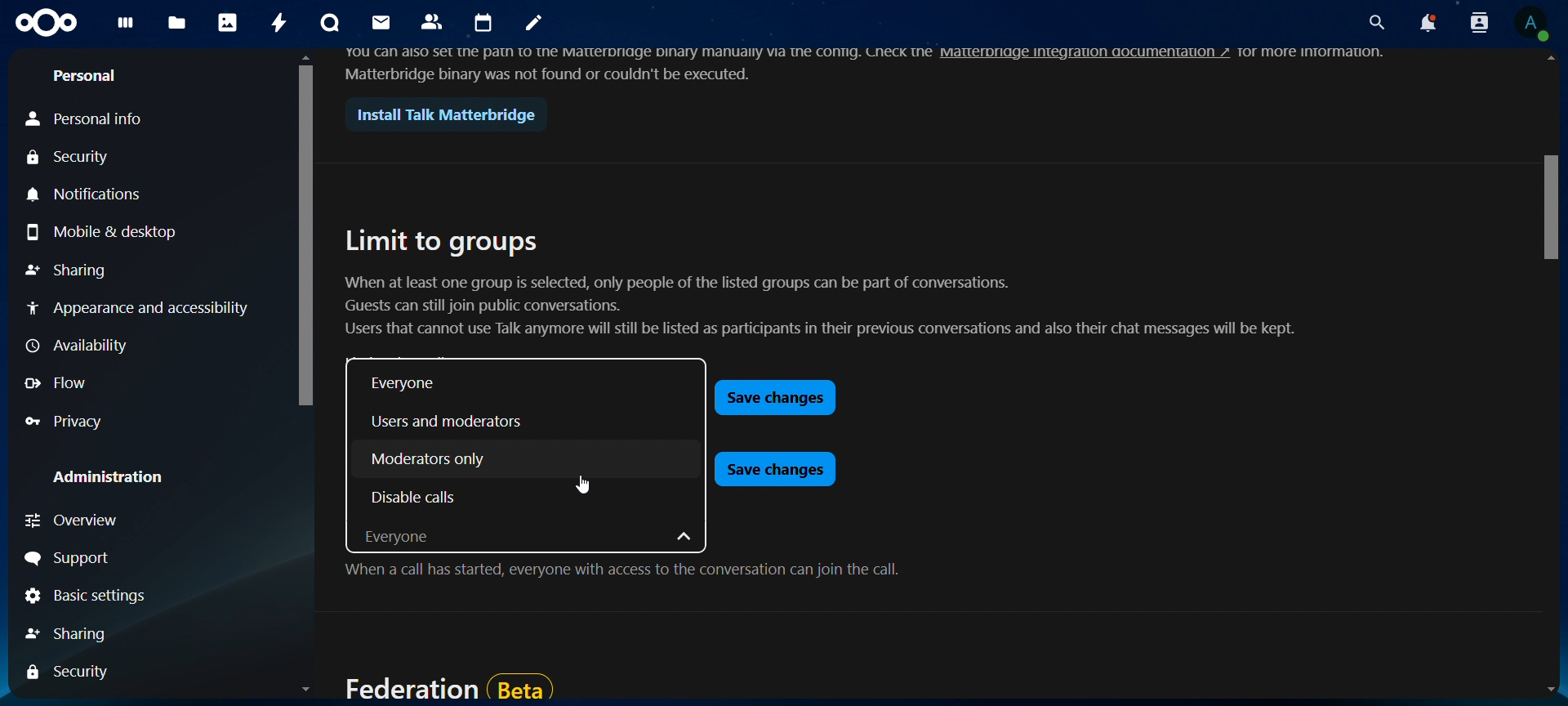 The width and height of the screenshot is (1568, 706). I want to click on dashboard, so click(124, 26).